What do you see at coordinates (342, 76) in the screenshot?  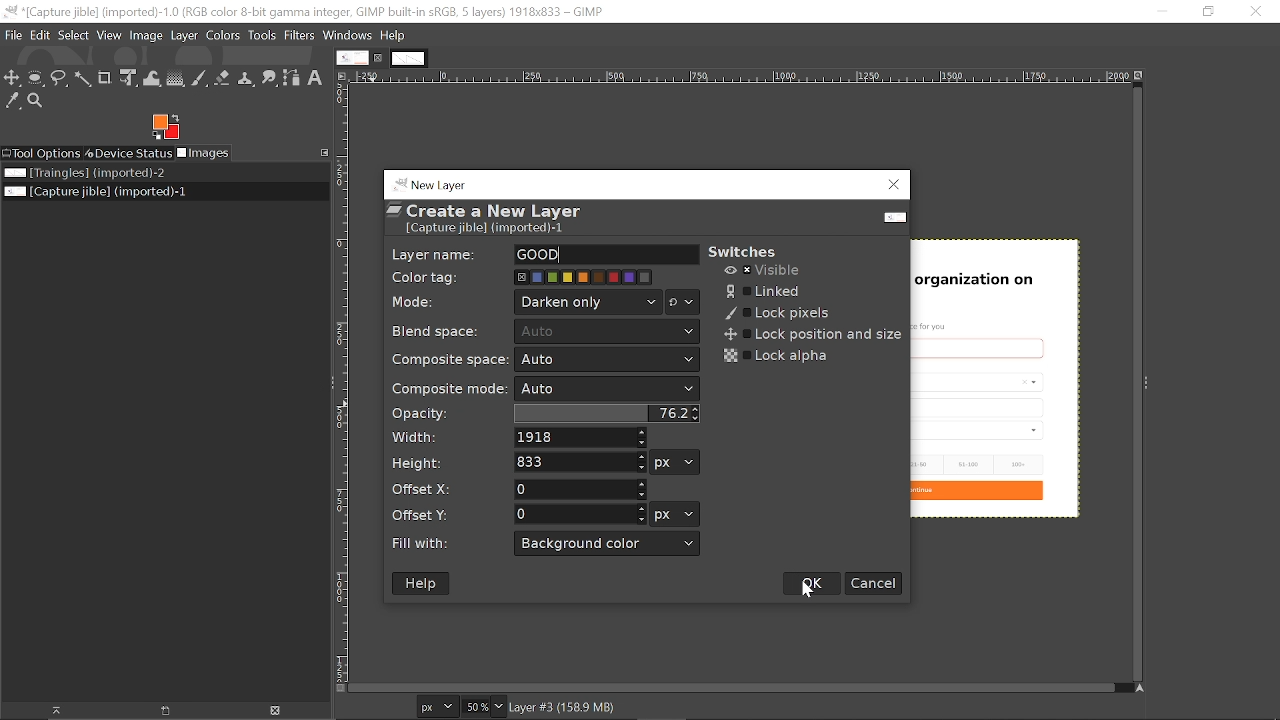 I see `Access this image menu` at bounding box center [342, 76].